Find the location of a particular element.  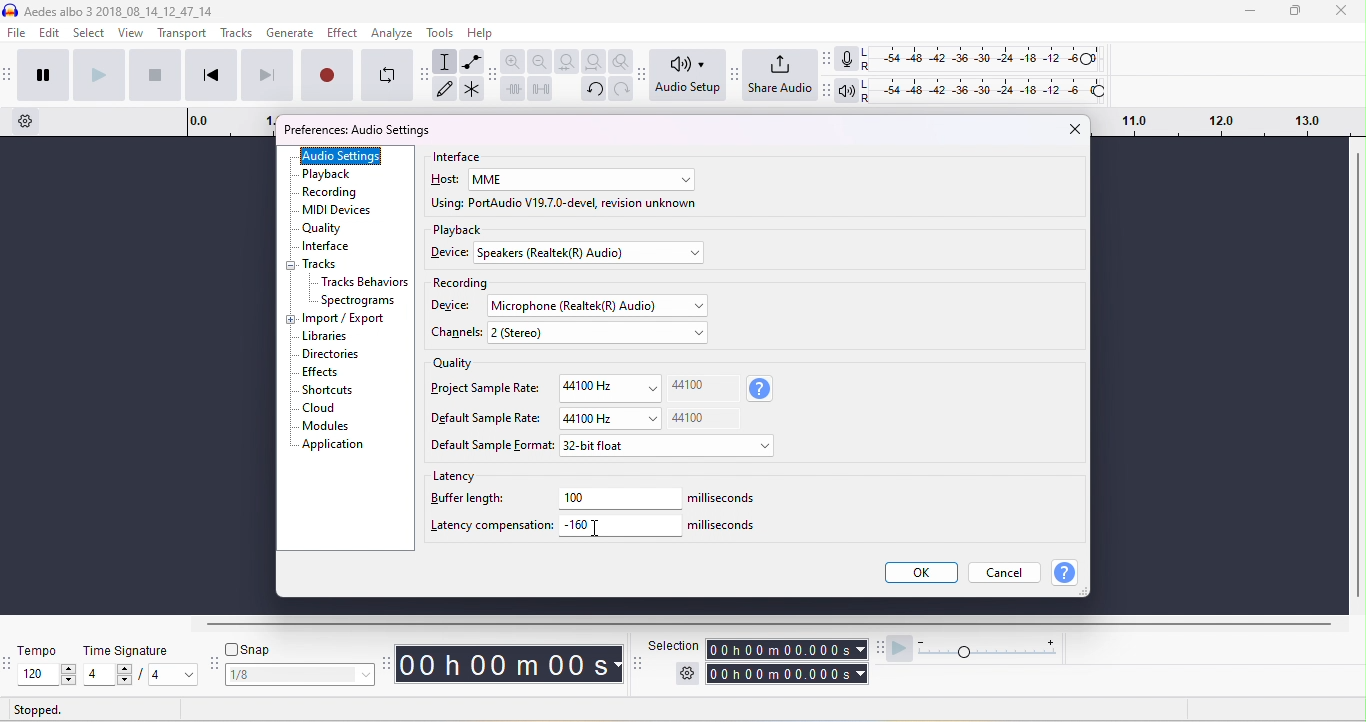

share audio is located at coordinates (780, 77).